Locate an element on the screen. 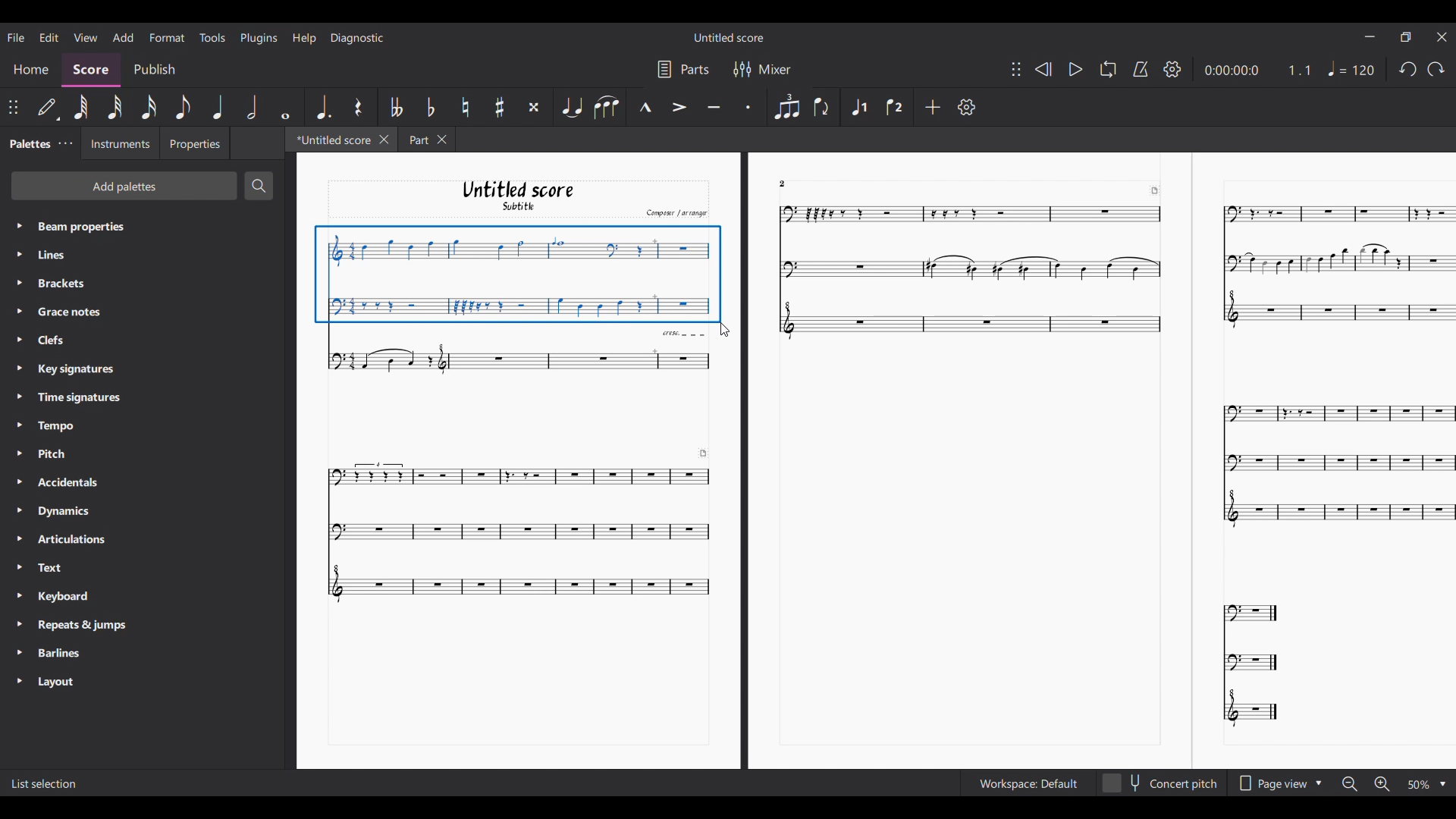   is located at coordinates (17, 540).